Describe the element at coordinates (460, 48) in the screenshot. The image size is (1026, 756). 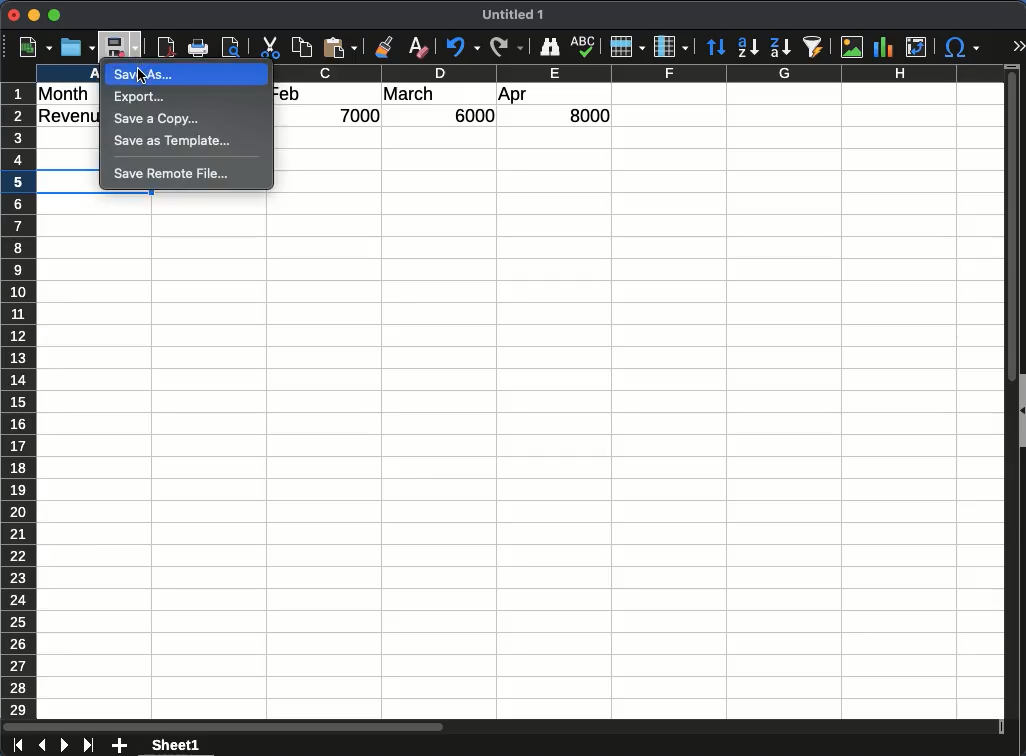
I see `undo` at that location.